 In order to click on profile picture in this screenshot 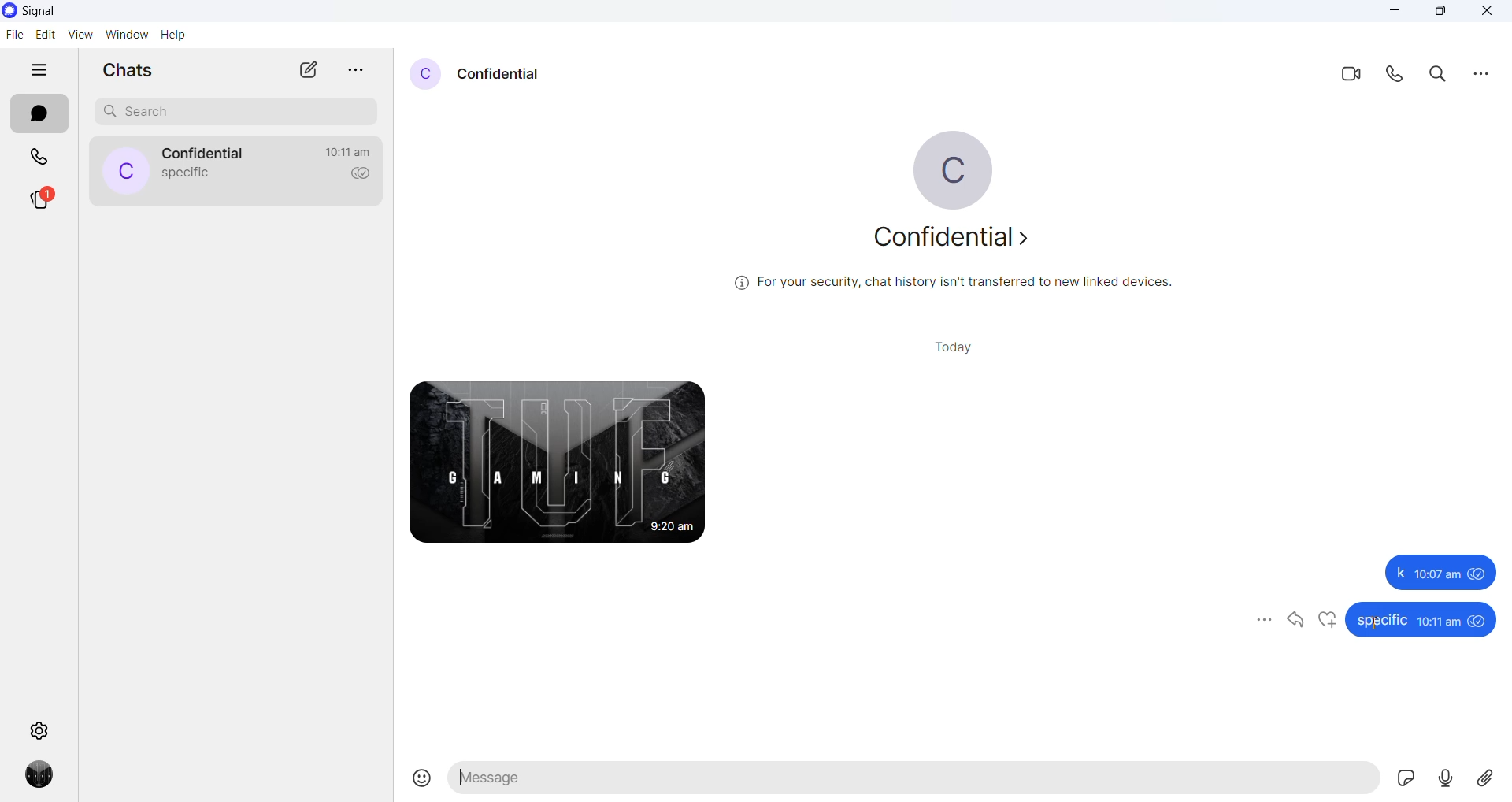, I will do `click(124, 171)`.